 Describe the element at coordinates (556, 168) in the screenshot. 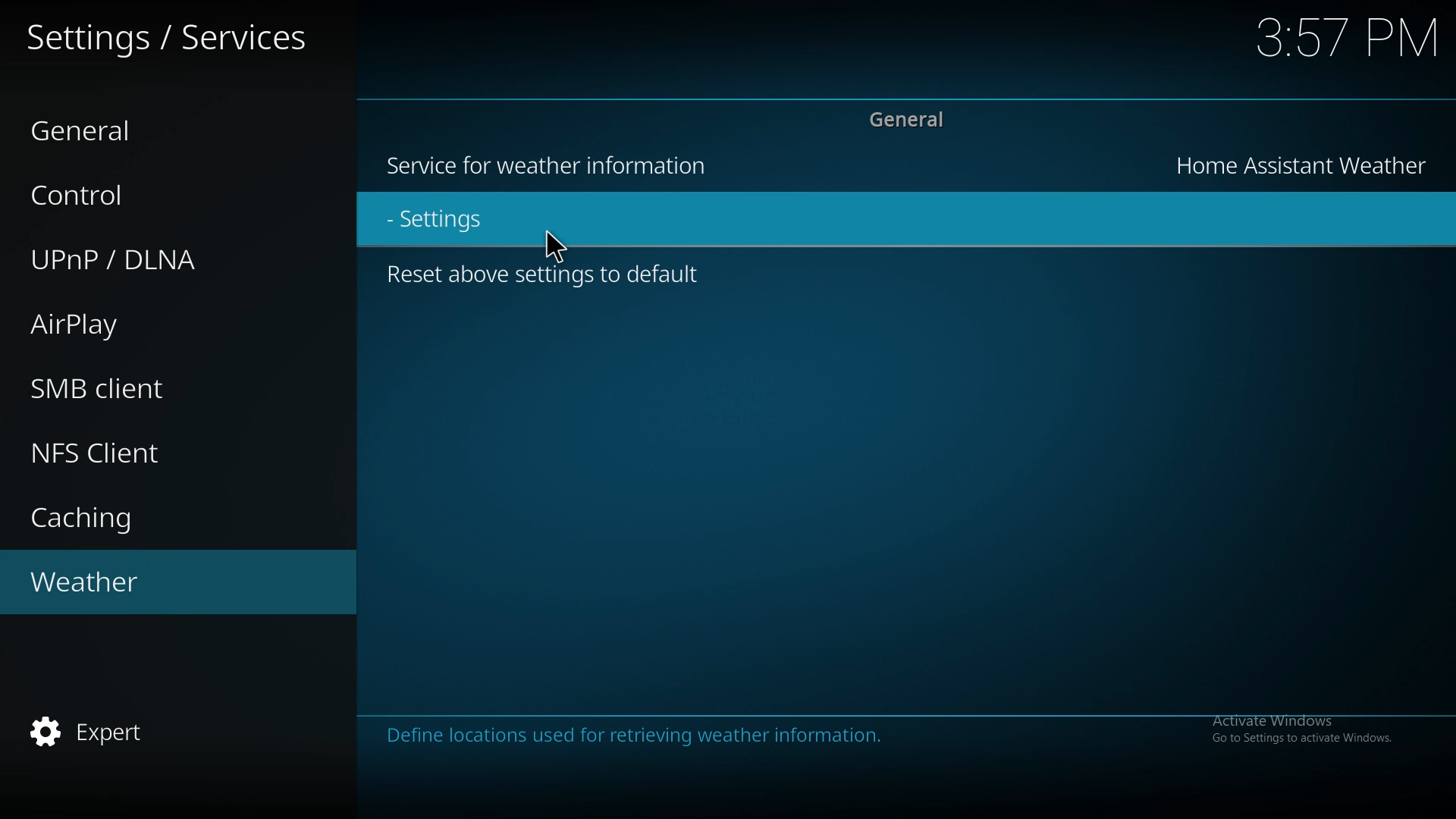

I see `service for weather information` at that location.